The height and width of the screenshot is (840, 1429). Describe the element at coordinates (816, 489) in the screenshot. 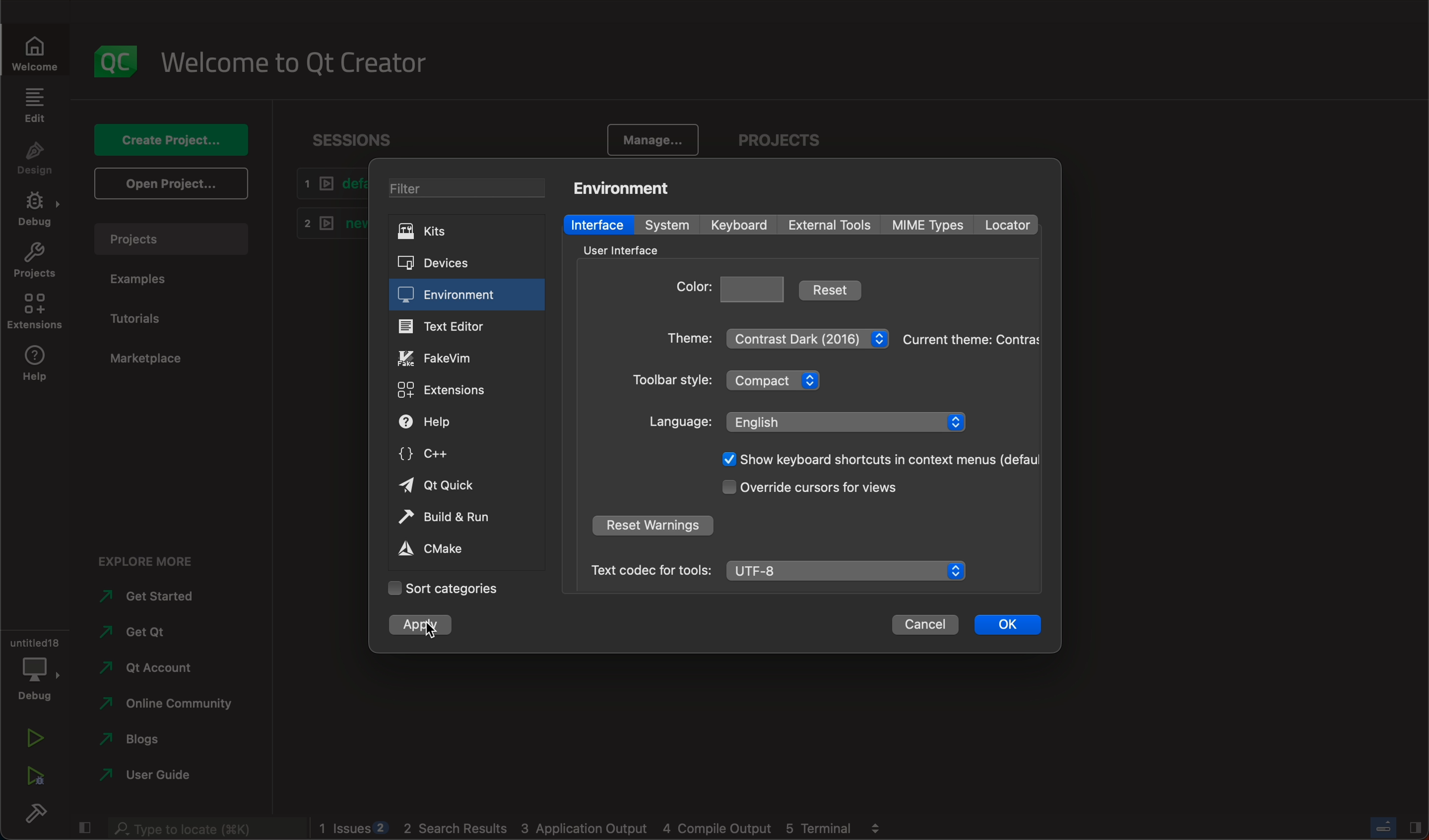

I see `cursors` at that location.